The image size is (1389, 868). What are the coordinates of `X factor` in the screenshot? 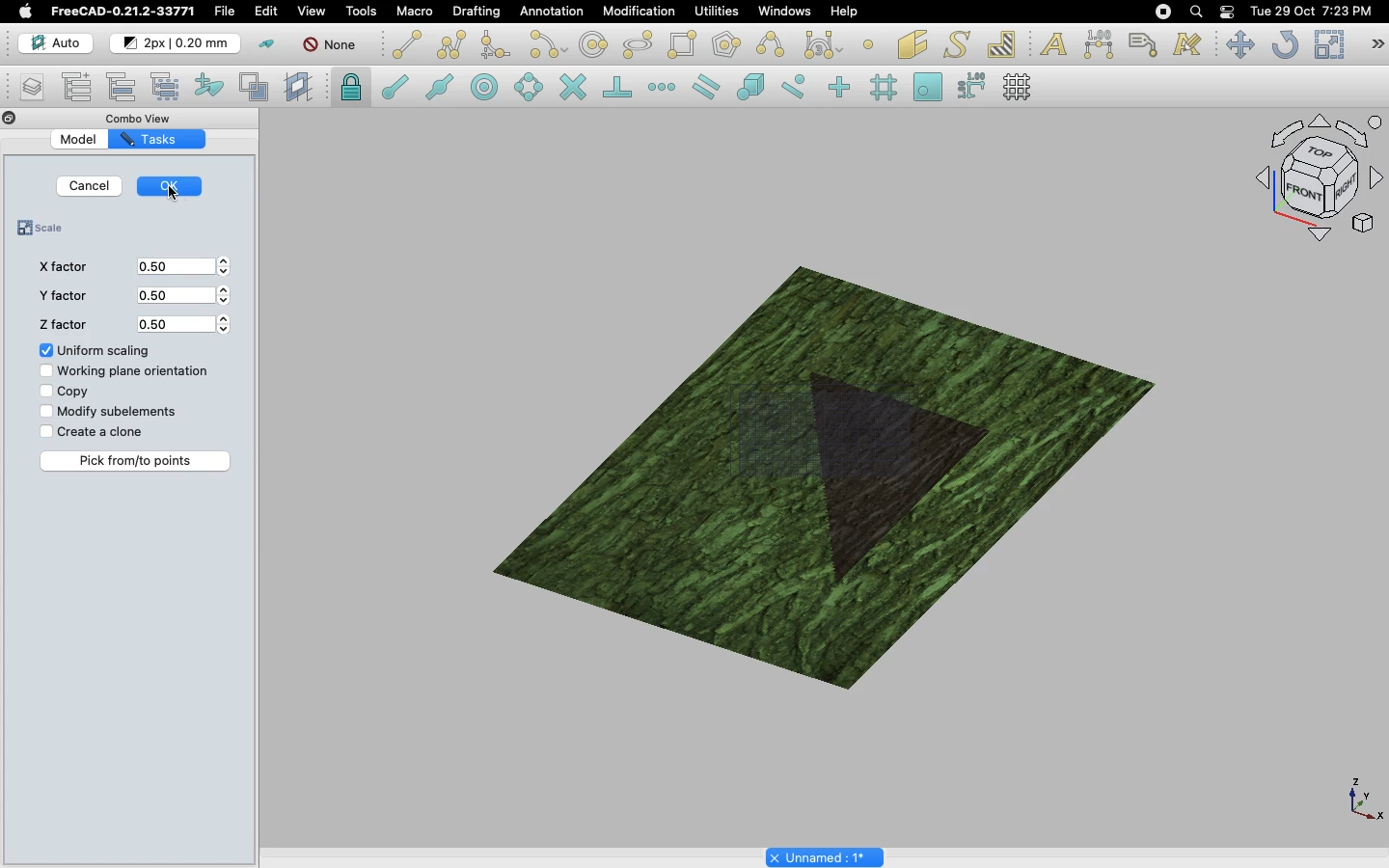 It's located at (60, 267).